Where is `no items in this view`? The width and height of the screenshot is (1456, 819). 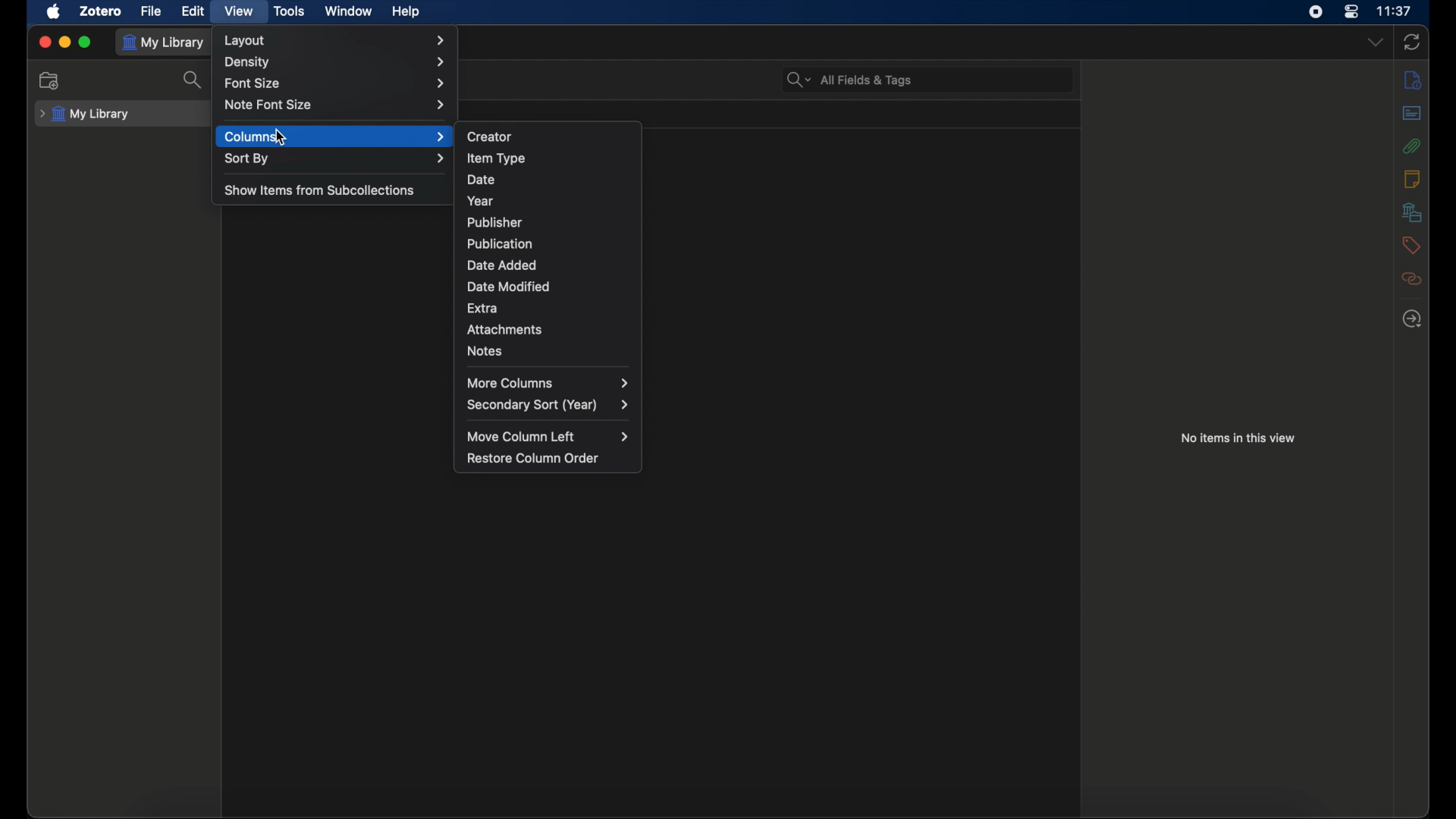 no items in this view is located at coordinates (1238, 437).